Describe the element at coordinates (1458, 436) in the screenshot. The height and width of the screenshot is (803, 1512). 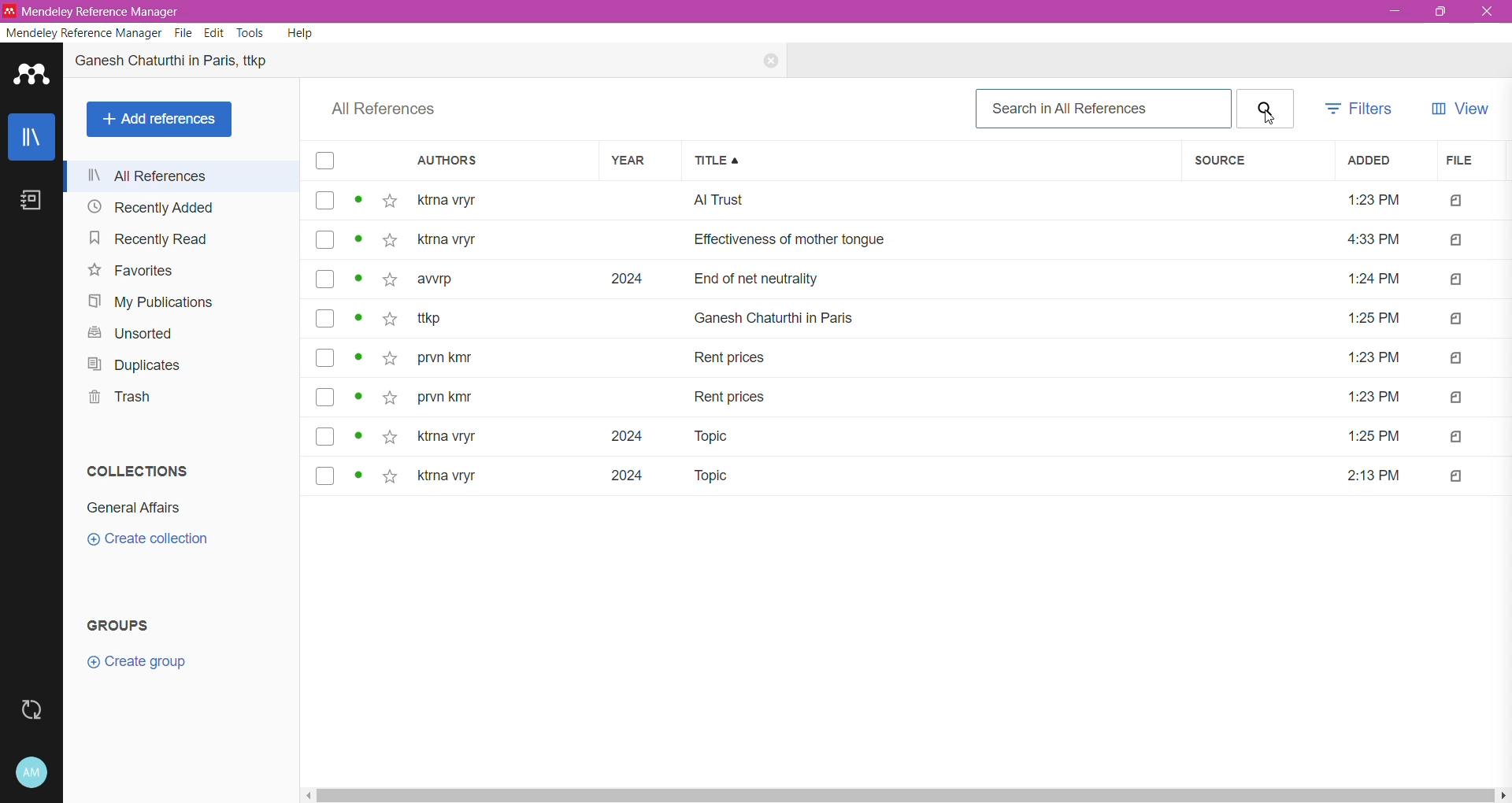
I see `file type` at that location.